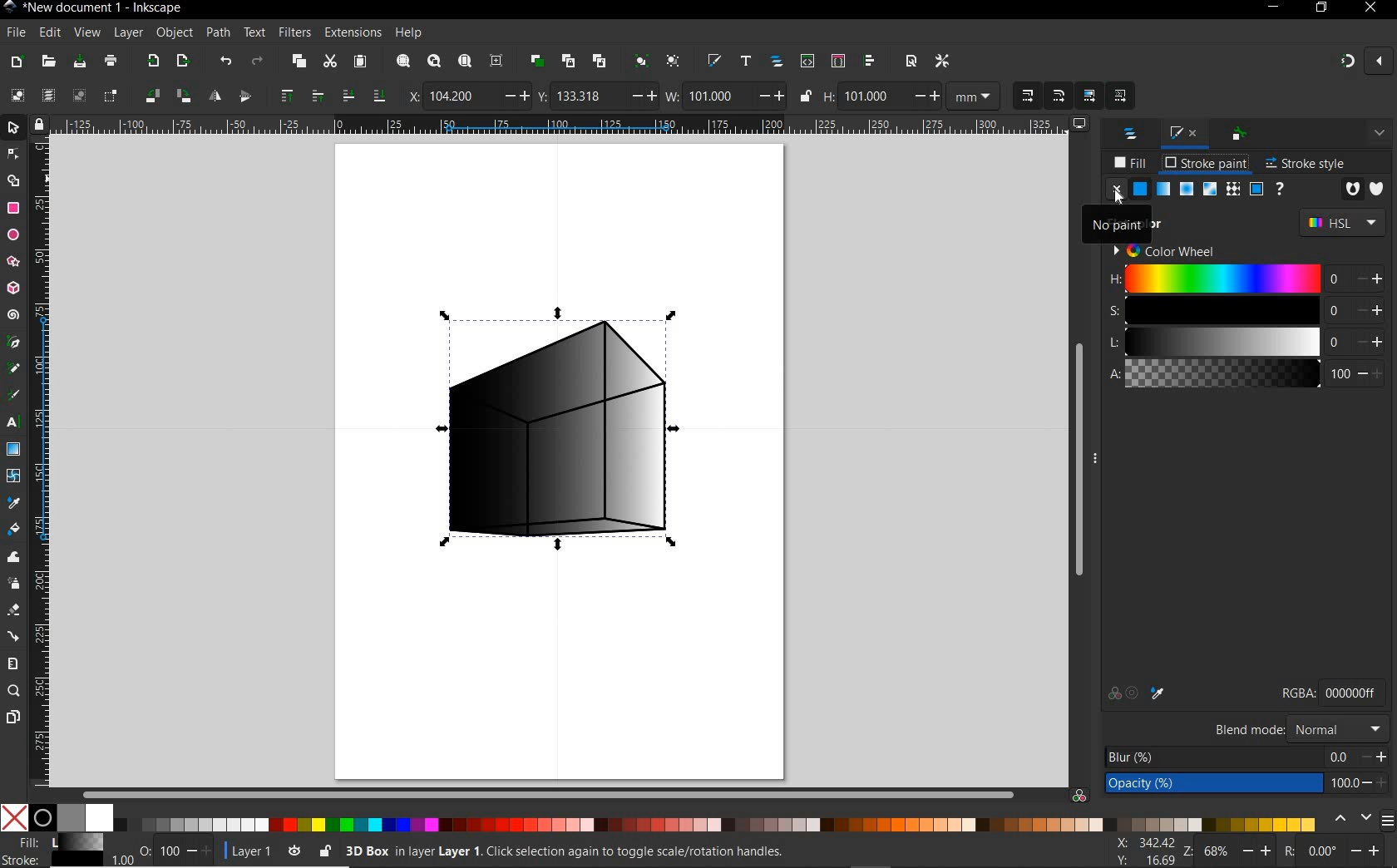 The height and width of the screenshot is (868, 1397). What do you see at coordinates (772, 96) in the screenshot?
I see `increase/decrease` at bounding box center [772, 96].